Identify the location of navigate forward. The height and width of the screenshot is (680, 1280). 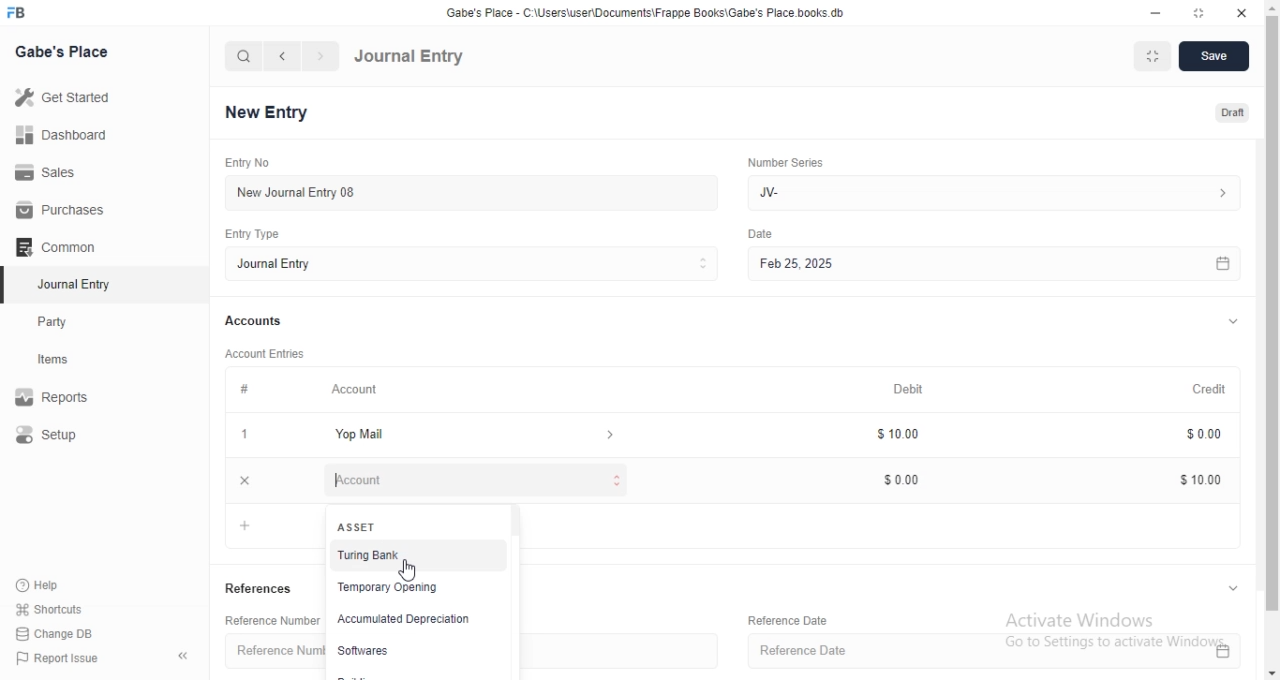
(321, 56).